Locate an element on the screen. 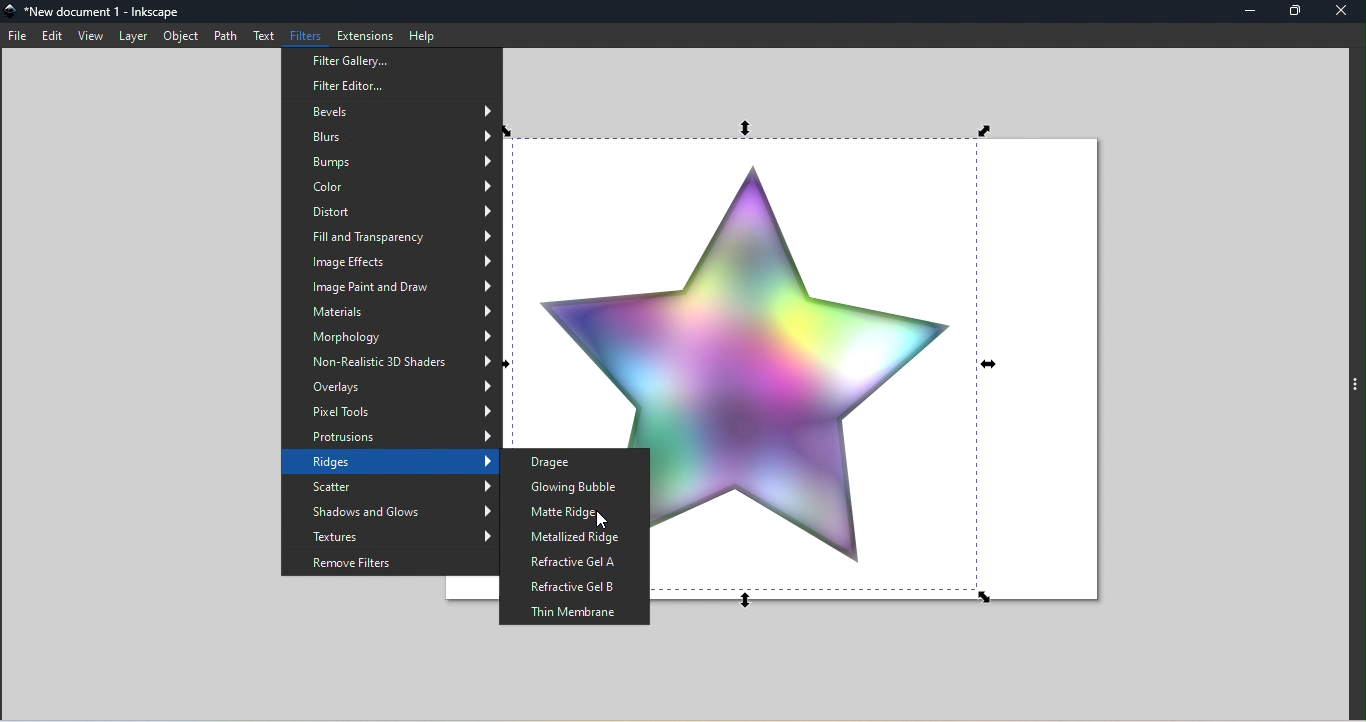  Shadows and glows is located at coordinates (391, 513).